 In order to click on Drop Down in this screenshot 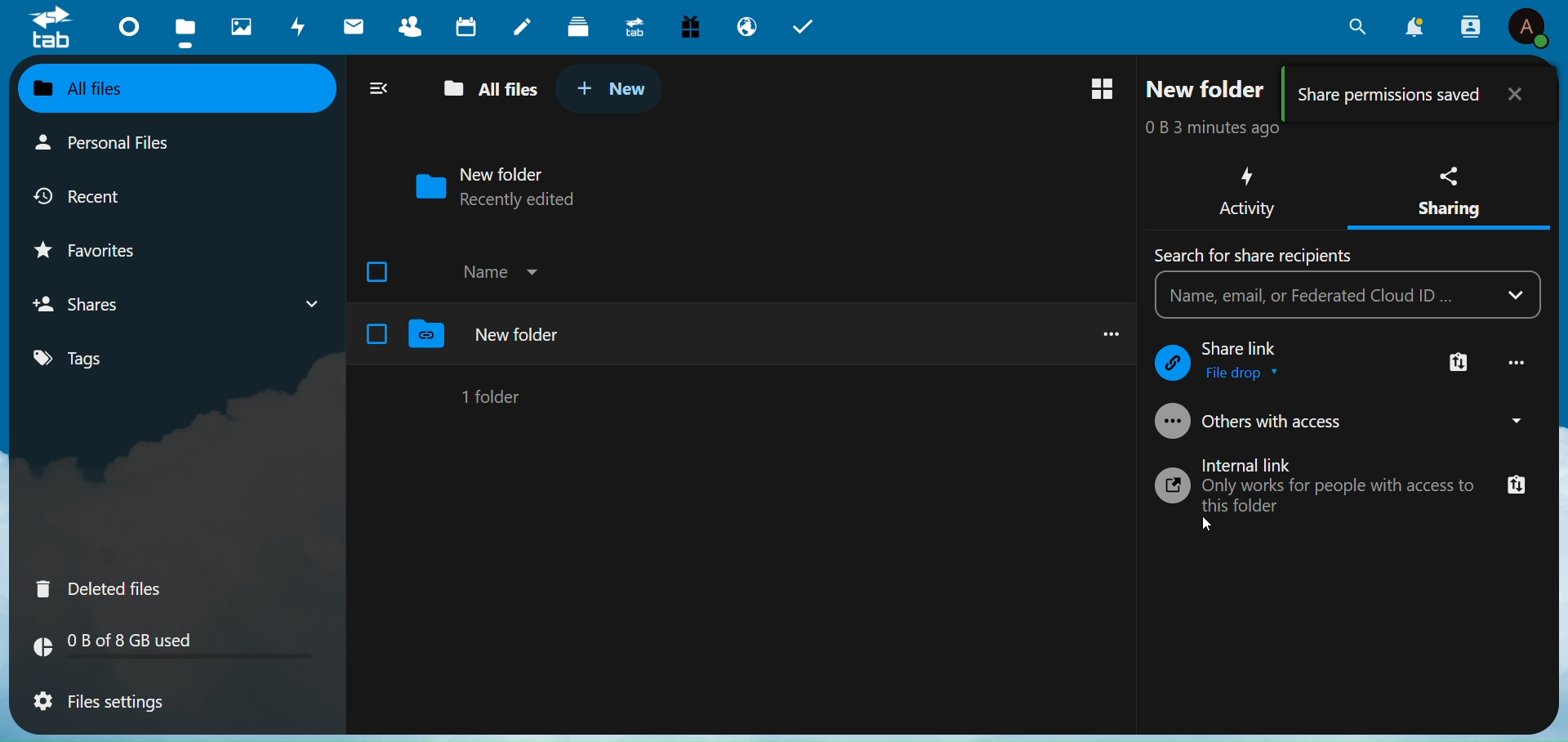, I will do `click(1521, 294)`.